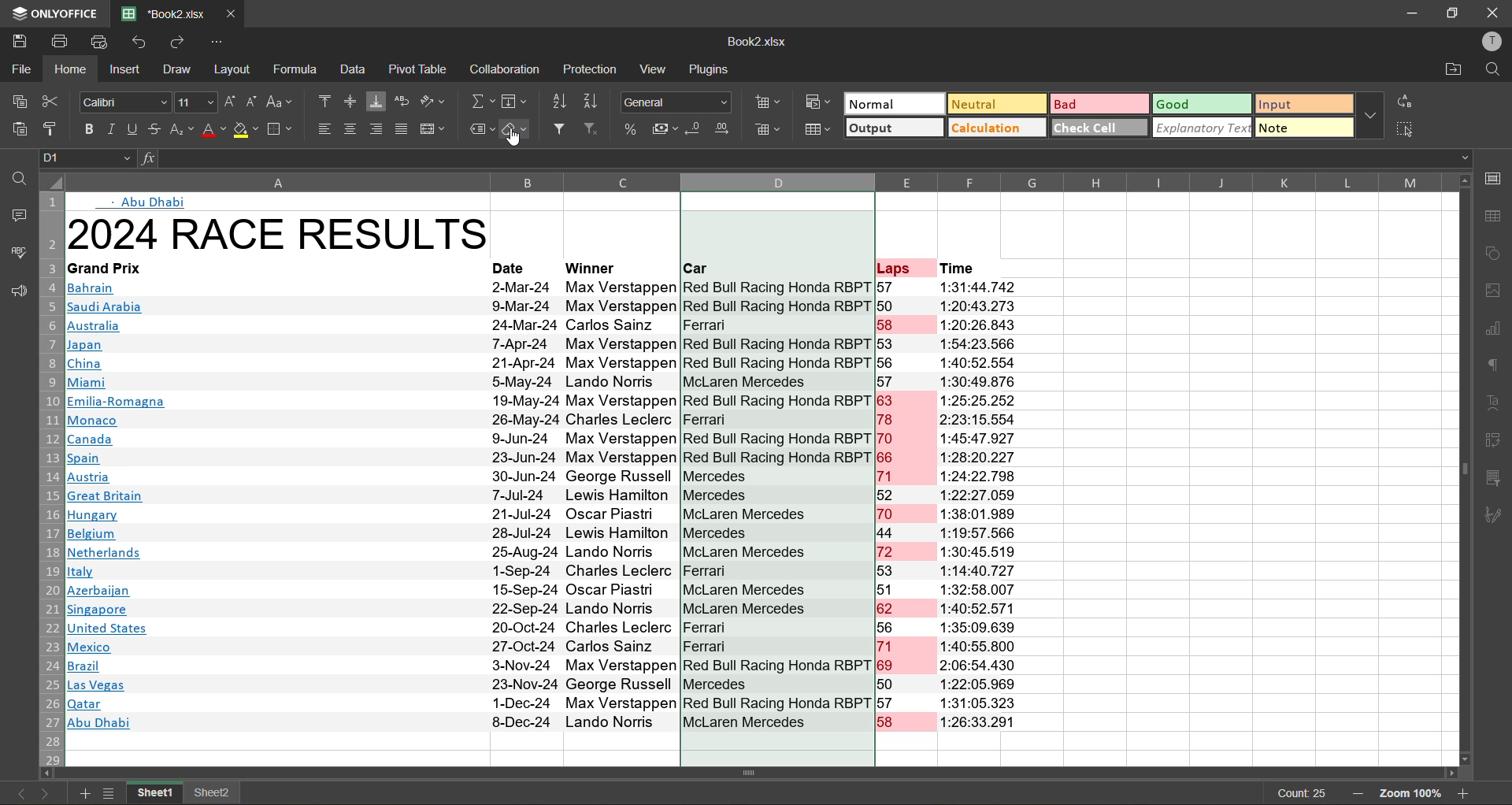 This screenshot has height=805, width=1512. Describe the element at coordinates (402, 129) in the screenshot. I see `justified` at that location.